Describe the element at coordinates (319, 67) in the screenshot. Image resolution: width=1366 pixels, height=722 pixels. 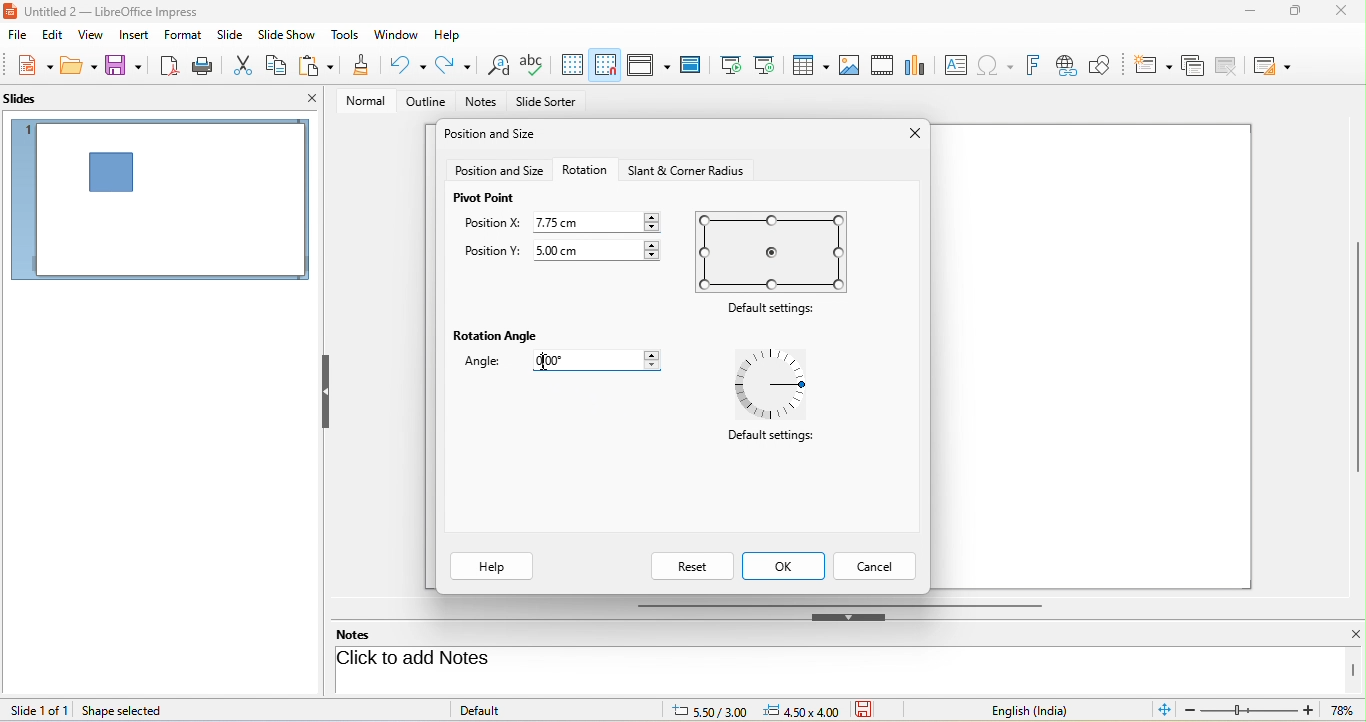
I see `paste` at that location.